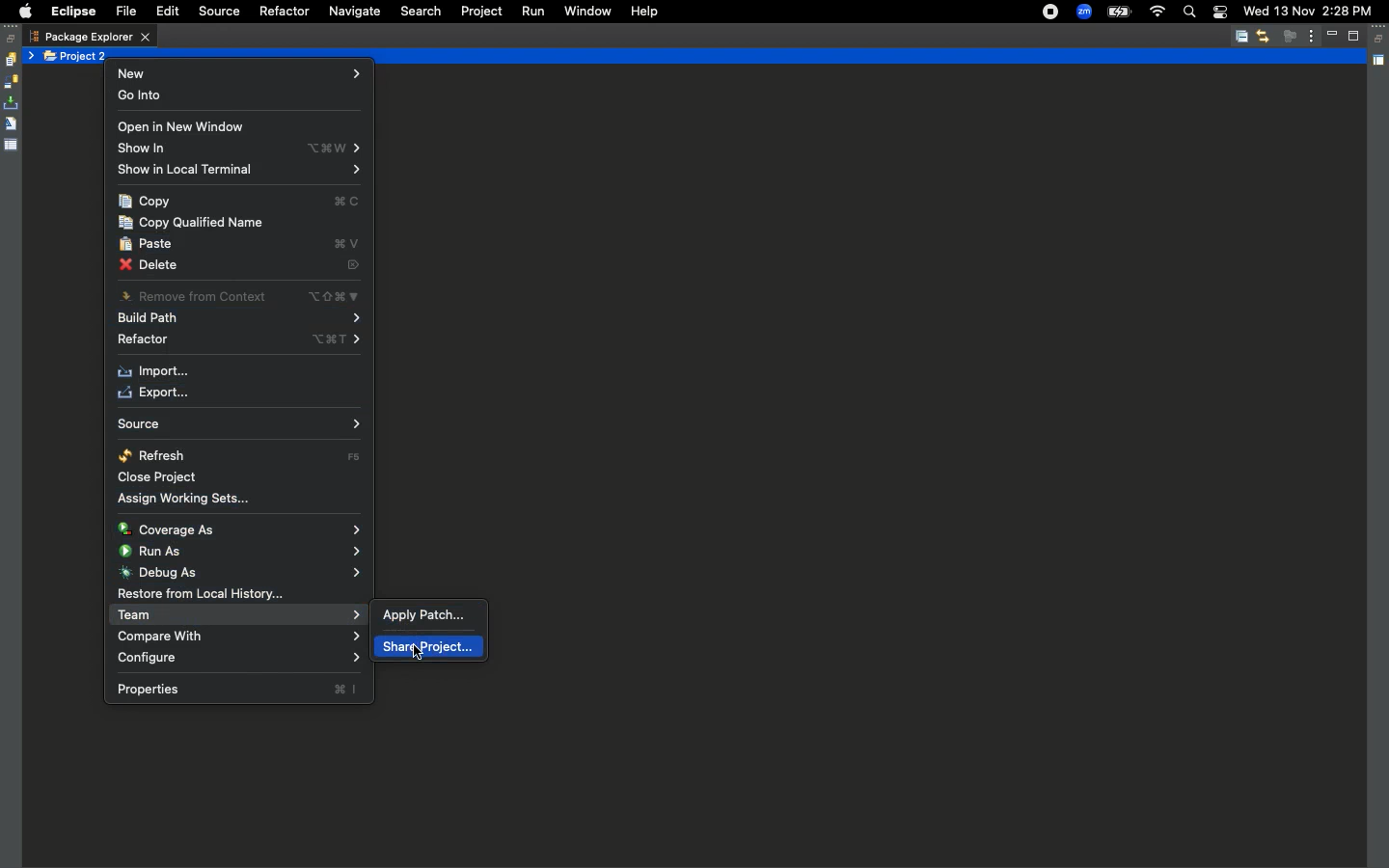  I want to click on Team, so click(238, 615).